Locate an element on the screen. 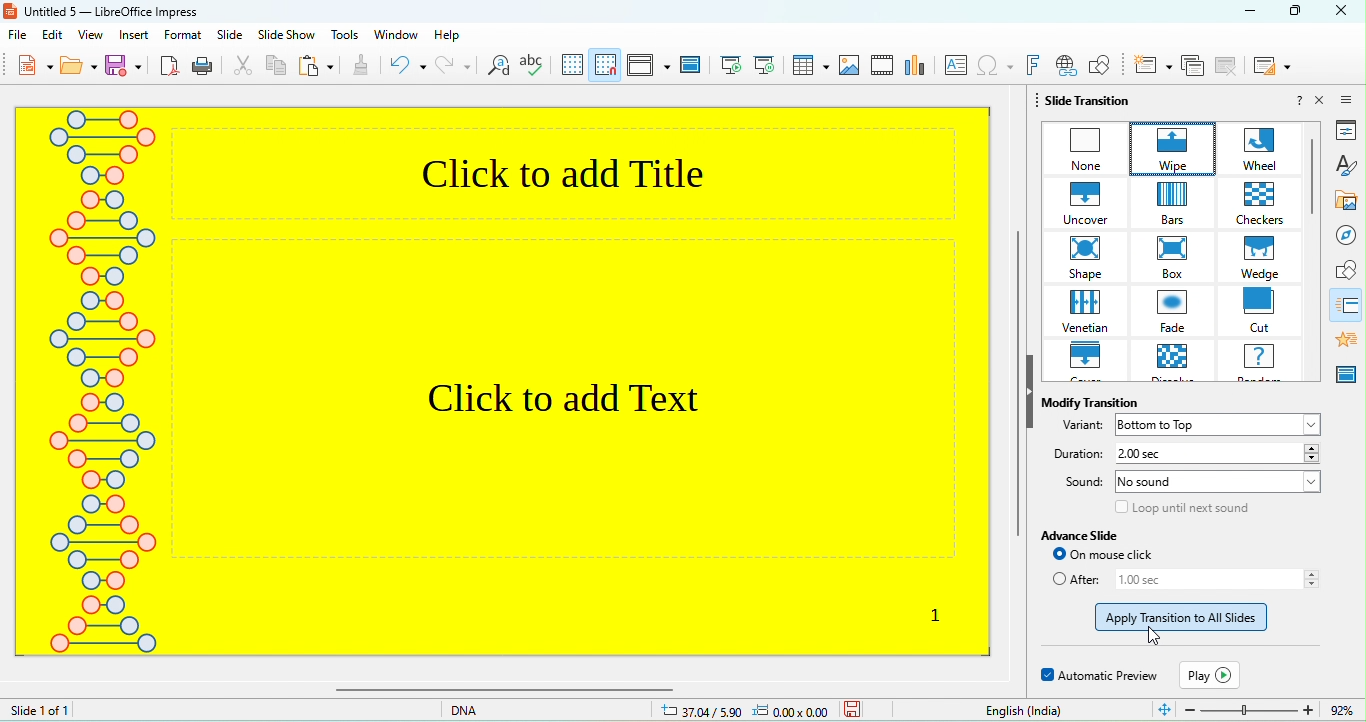 The width and height of the screenshot is (1366, 722). slide 1 of 1 is located at coordinates (83, 711).